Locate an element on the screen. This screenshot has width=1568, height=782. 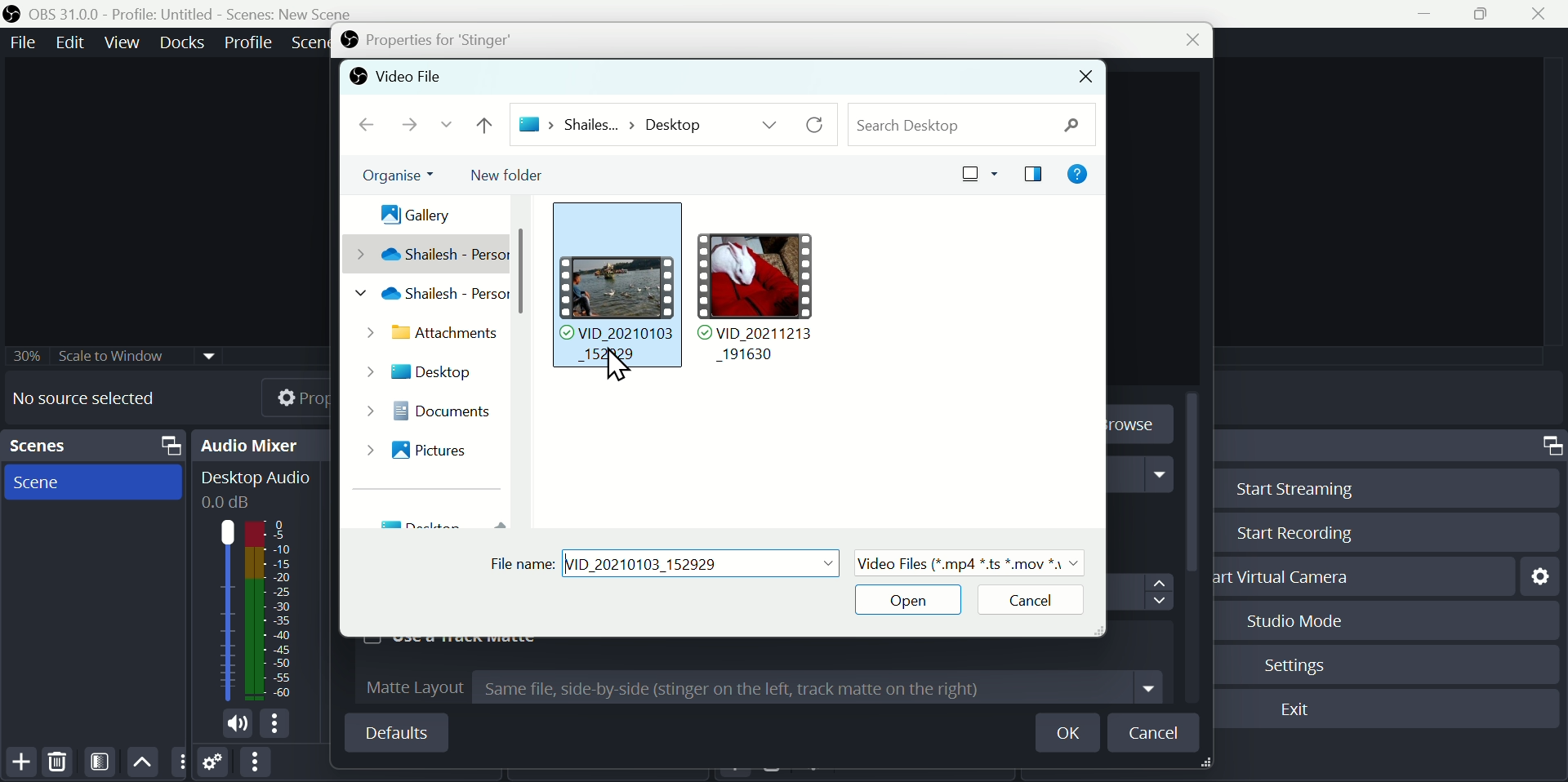
Properties is located at coordinates (282, 395).